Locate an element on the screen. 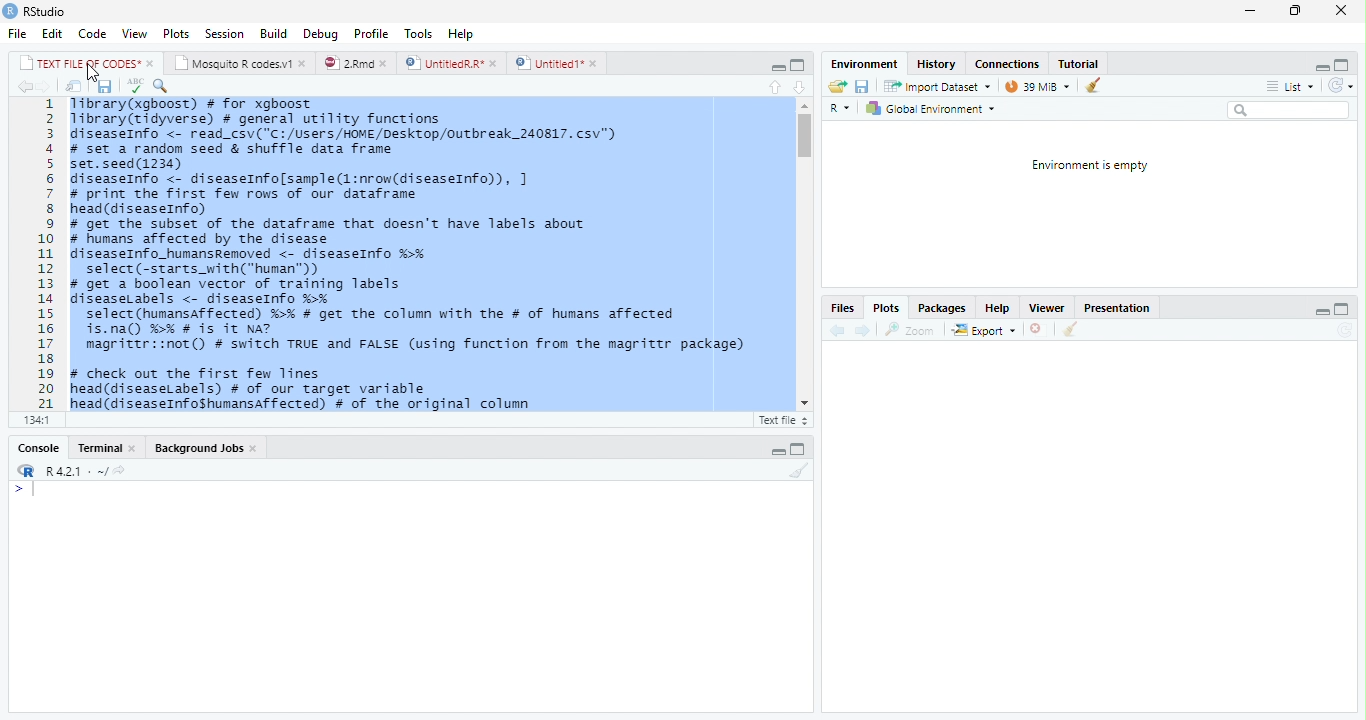  Plots is located at coordinates (174, 33).